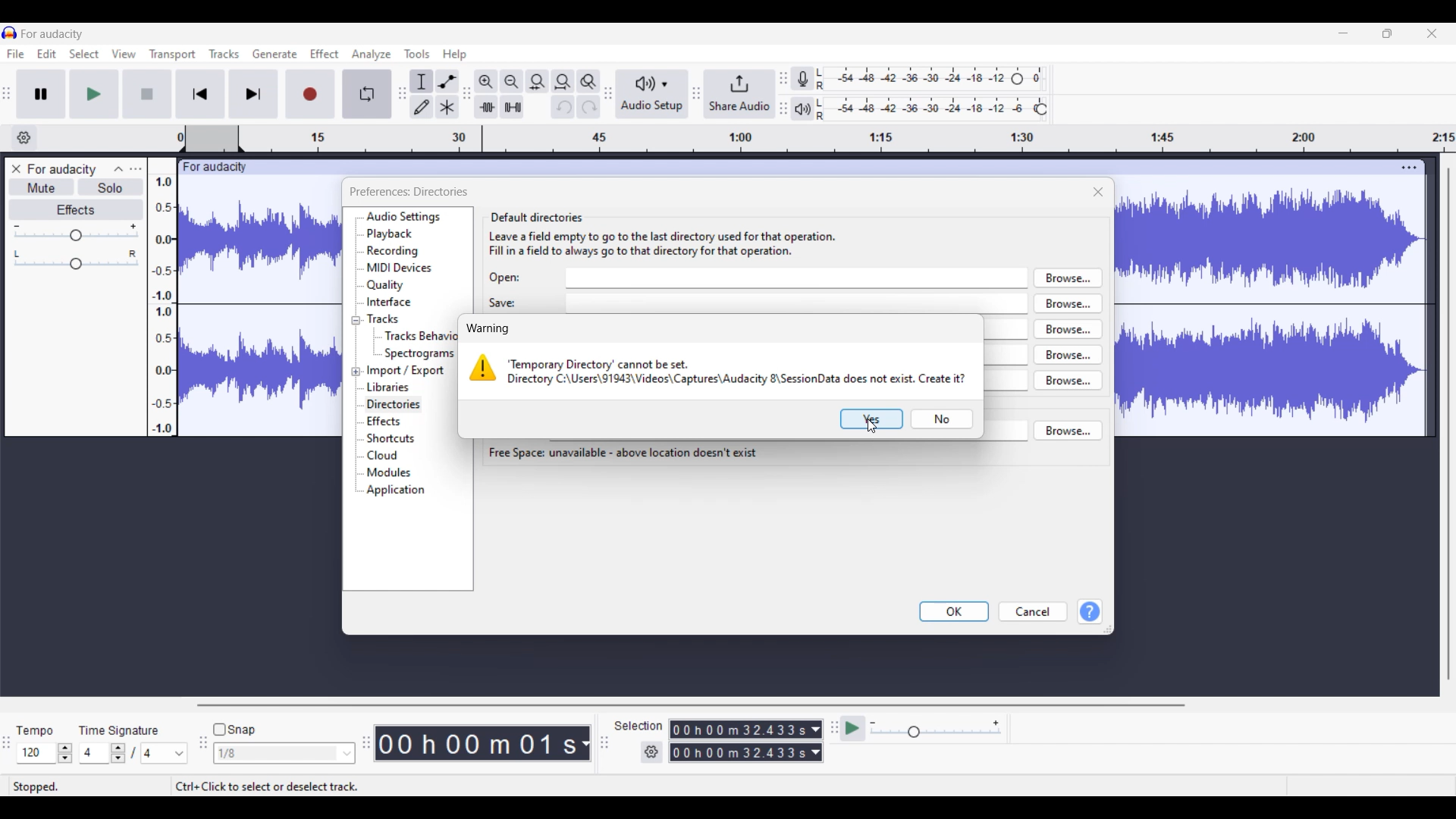 Image resolution: width=1456 pixels, height=819 pixels. What do you see at coordinates (76, 260) in the screenshot?
I see `Pan scale` at bounding box center [76, 260].